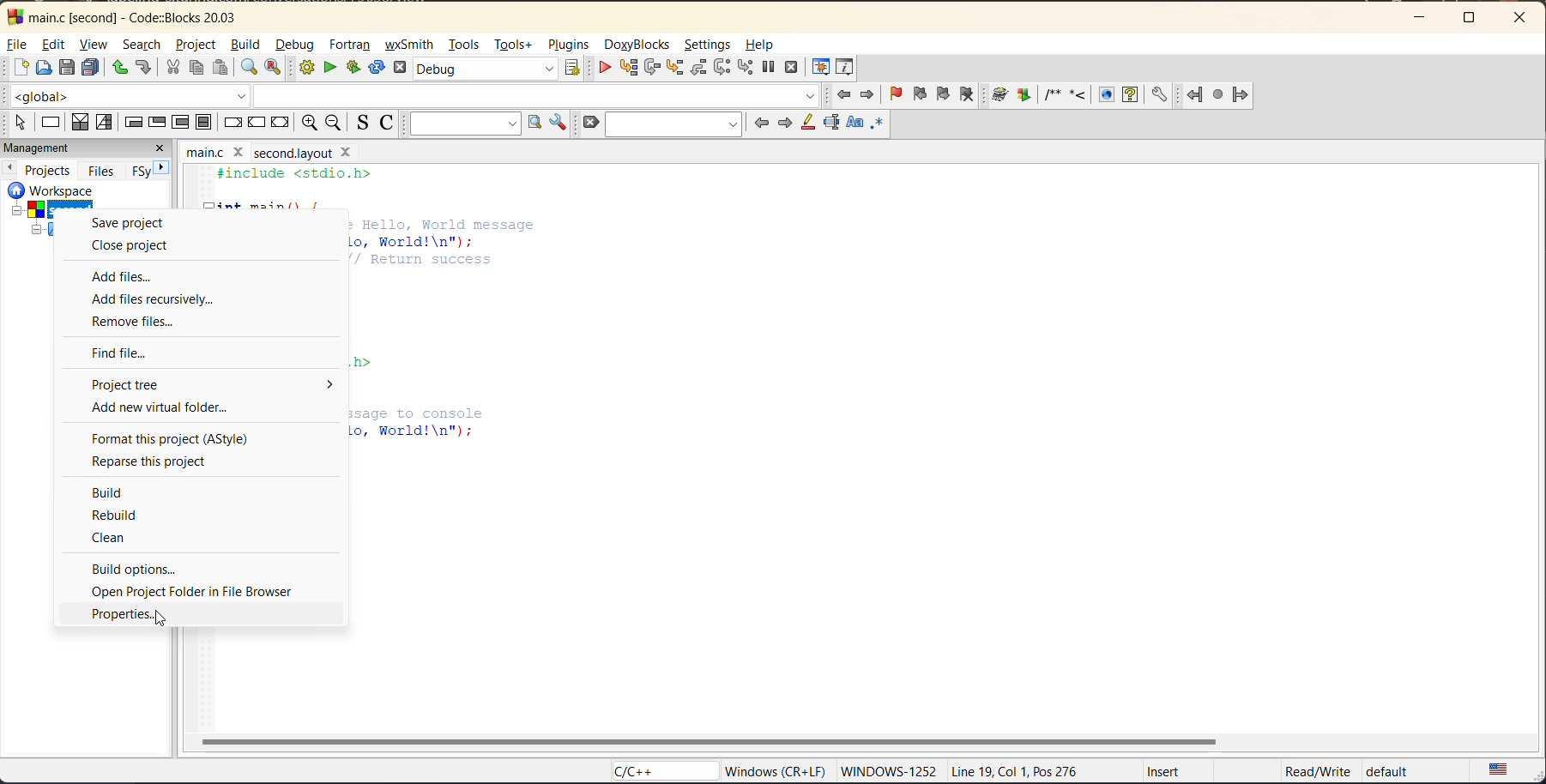 This screenshot has width=1546, height=784. What do you see at coordinates (709, 46) in the screenshot?
I see `settings` at bounding box center [709, 46].